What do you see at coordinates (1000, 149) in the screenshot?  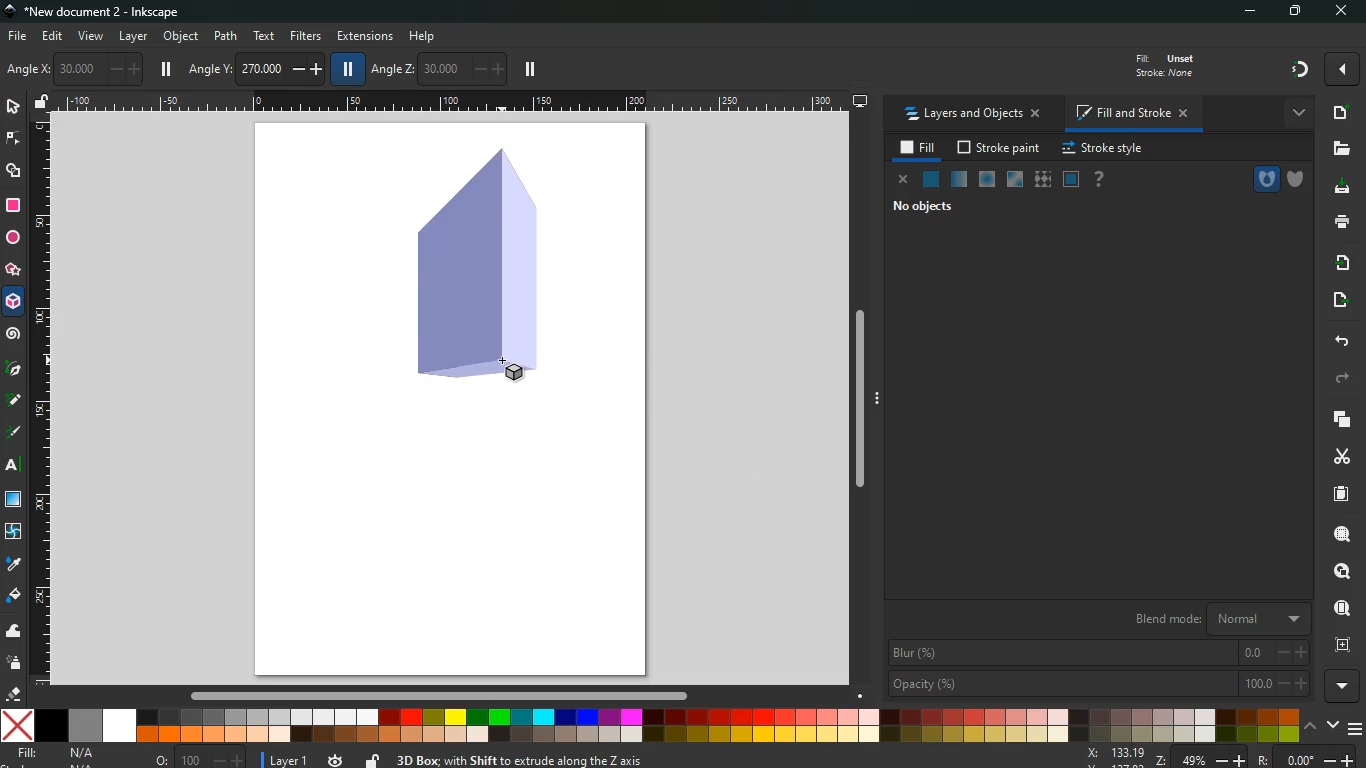 I see `stroke paint` at bounding box center [1000, 149].